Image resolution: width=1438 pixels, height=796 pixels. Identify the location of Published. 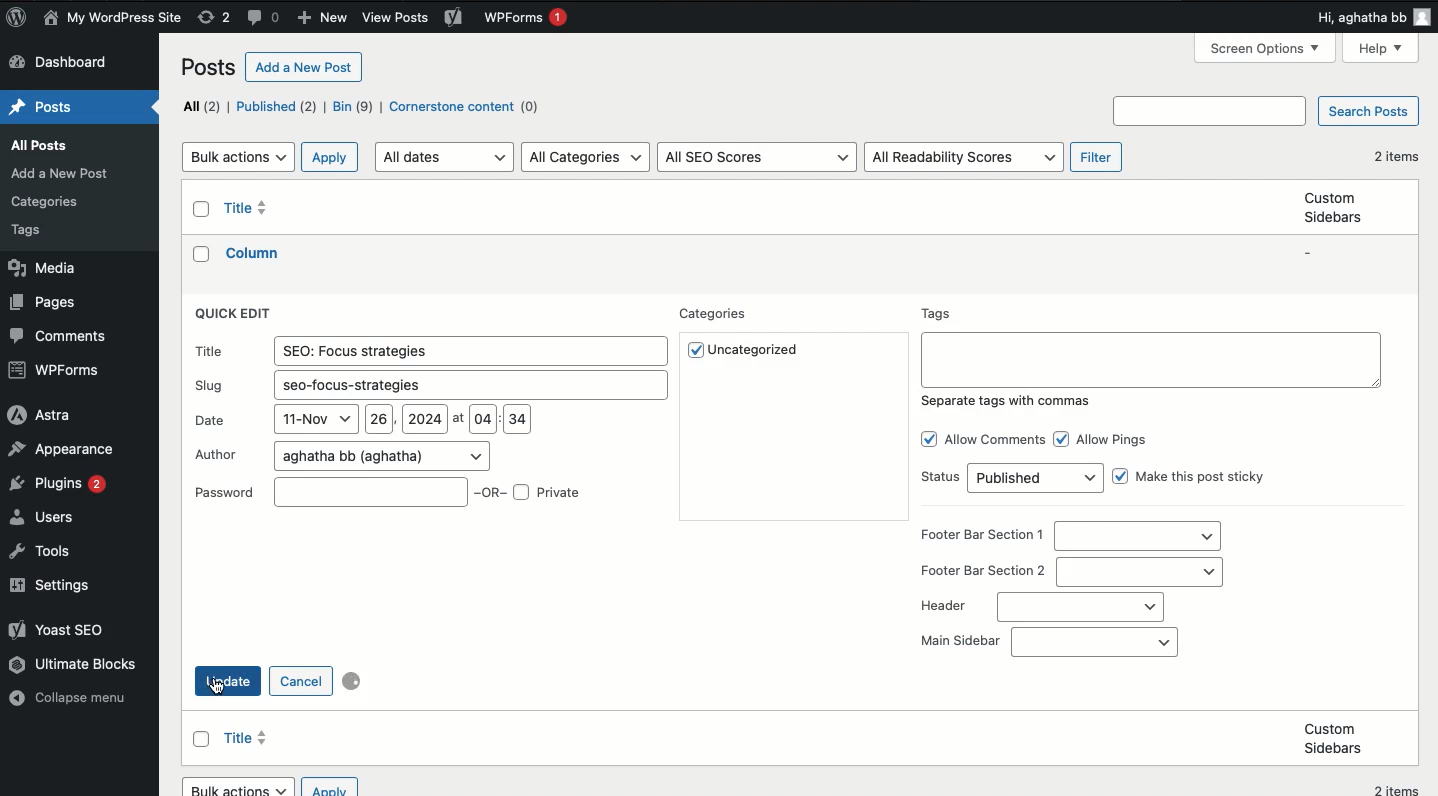
(276, 106).